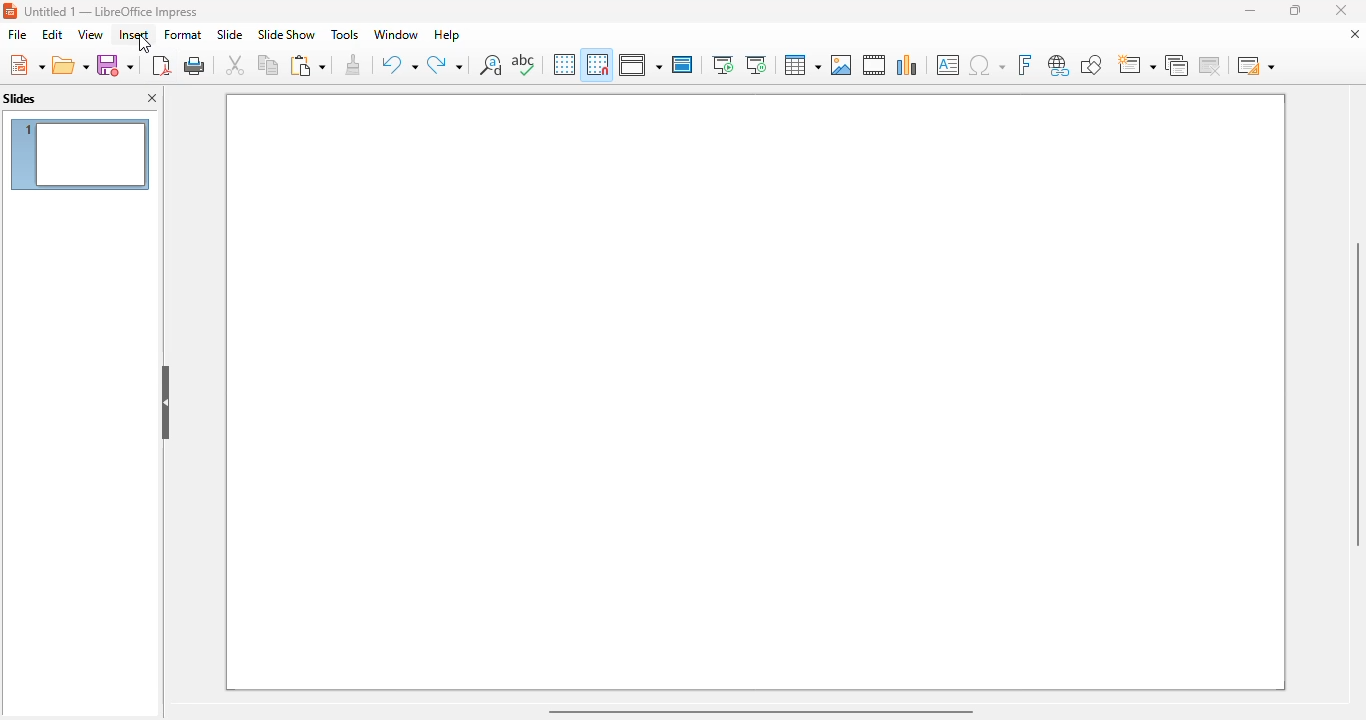 The image size is (1366, 720). I want to click on slide layout, so click(1256, 65).